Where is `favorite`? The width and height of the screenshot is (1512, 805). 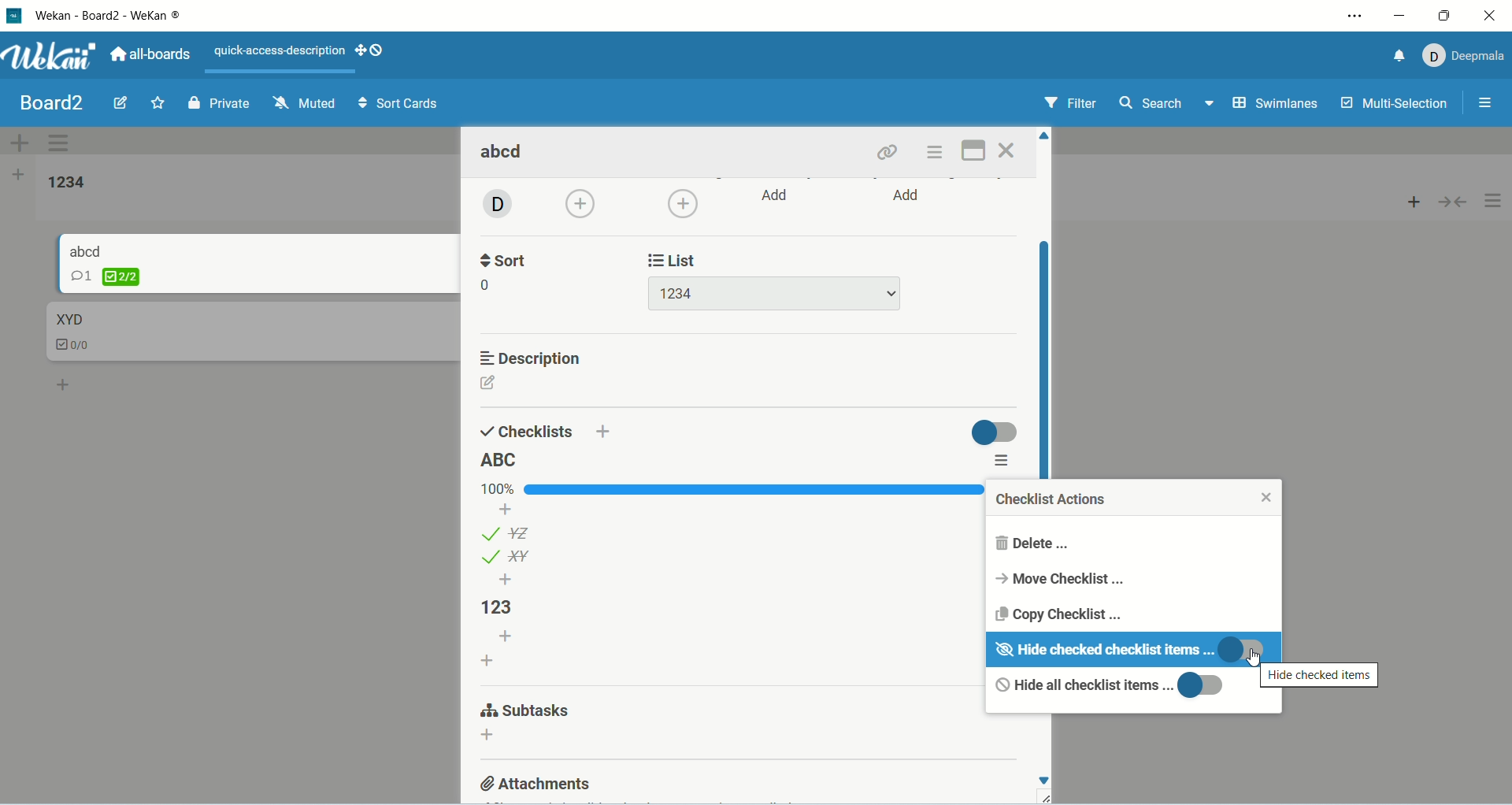
favorite is located at coordinates (157, 104).